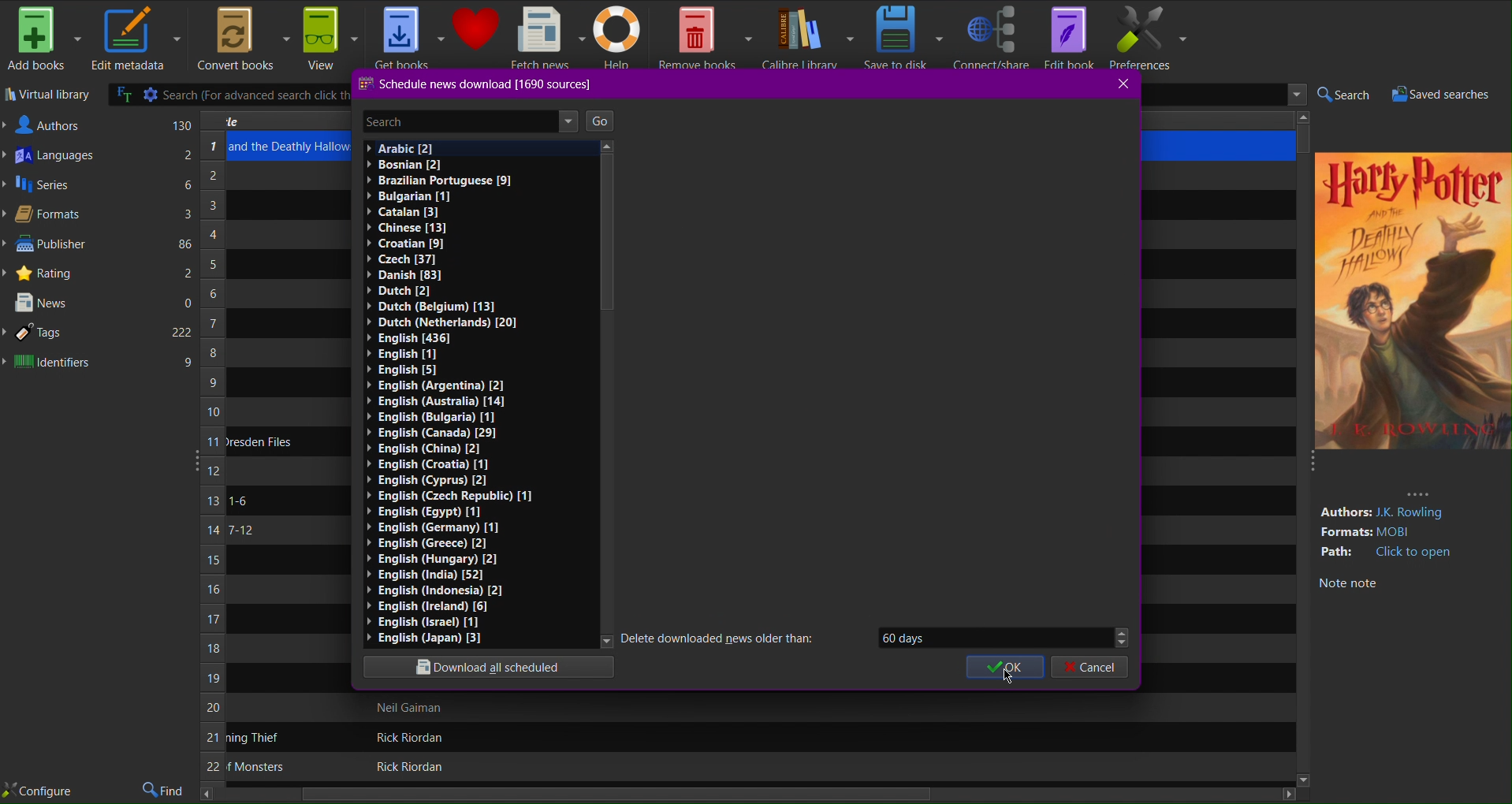  Describe the element at coordinates (423, 638) in the screenshot. I see `English Japan) |3]` at that location.